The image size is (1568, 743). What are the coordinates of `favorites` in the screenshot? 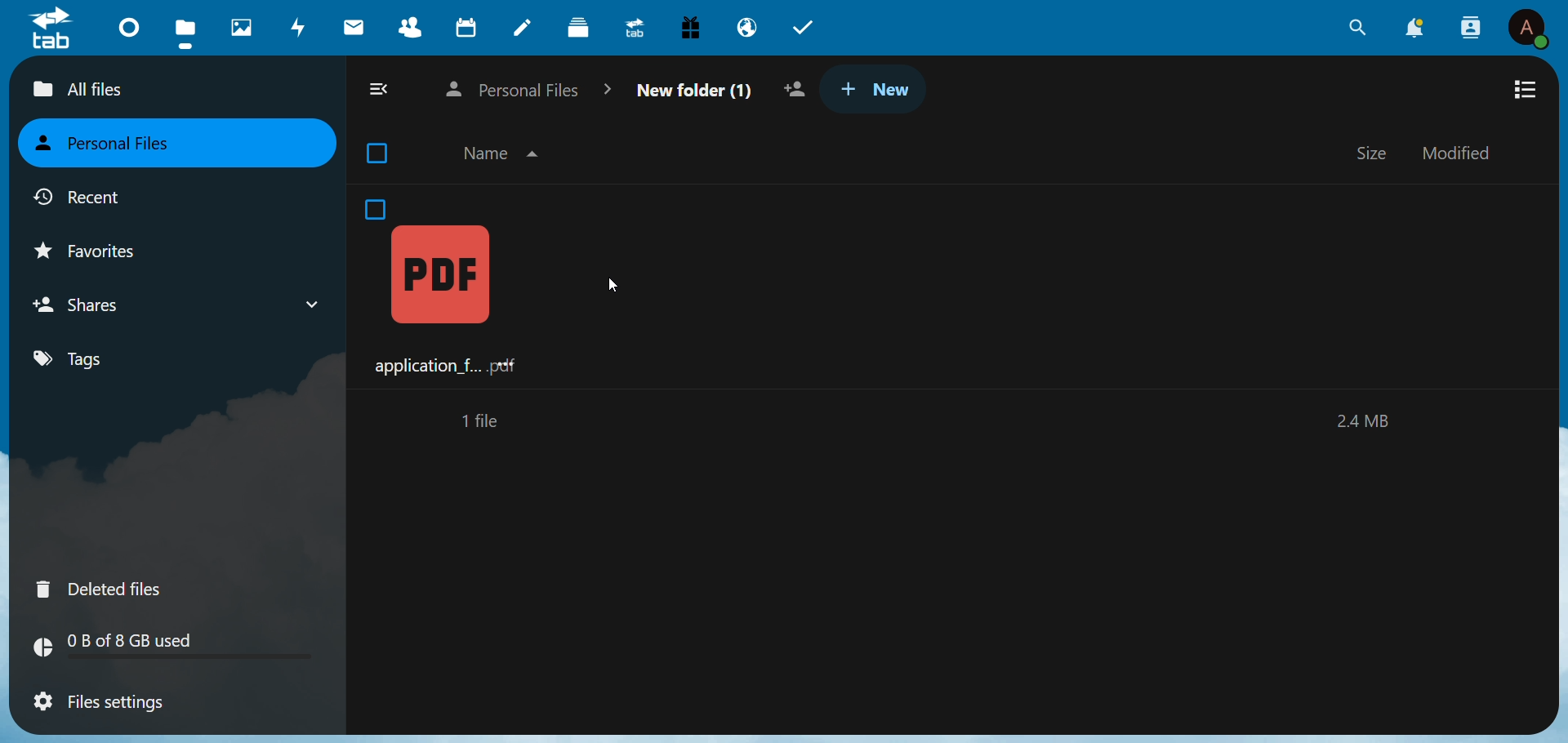 It's located at (104, 252).